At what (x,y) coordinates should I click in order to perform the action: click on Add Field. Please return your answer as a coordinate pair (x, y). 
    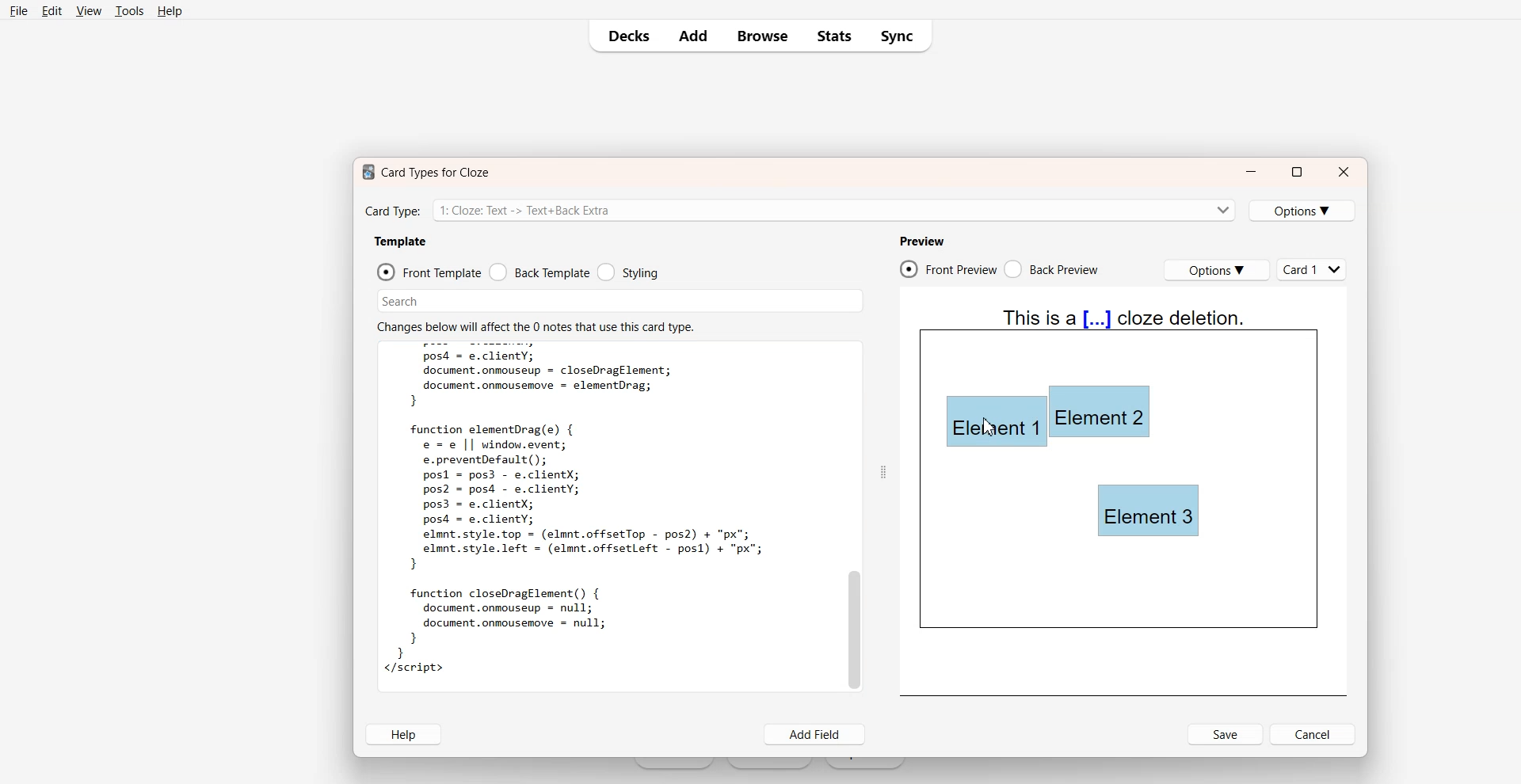
    Looking at the image, I should click on (816, 735).